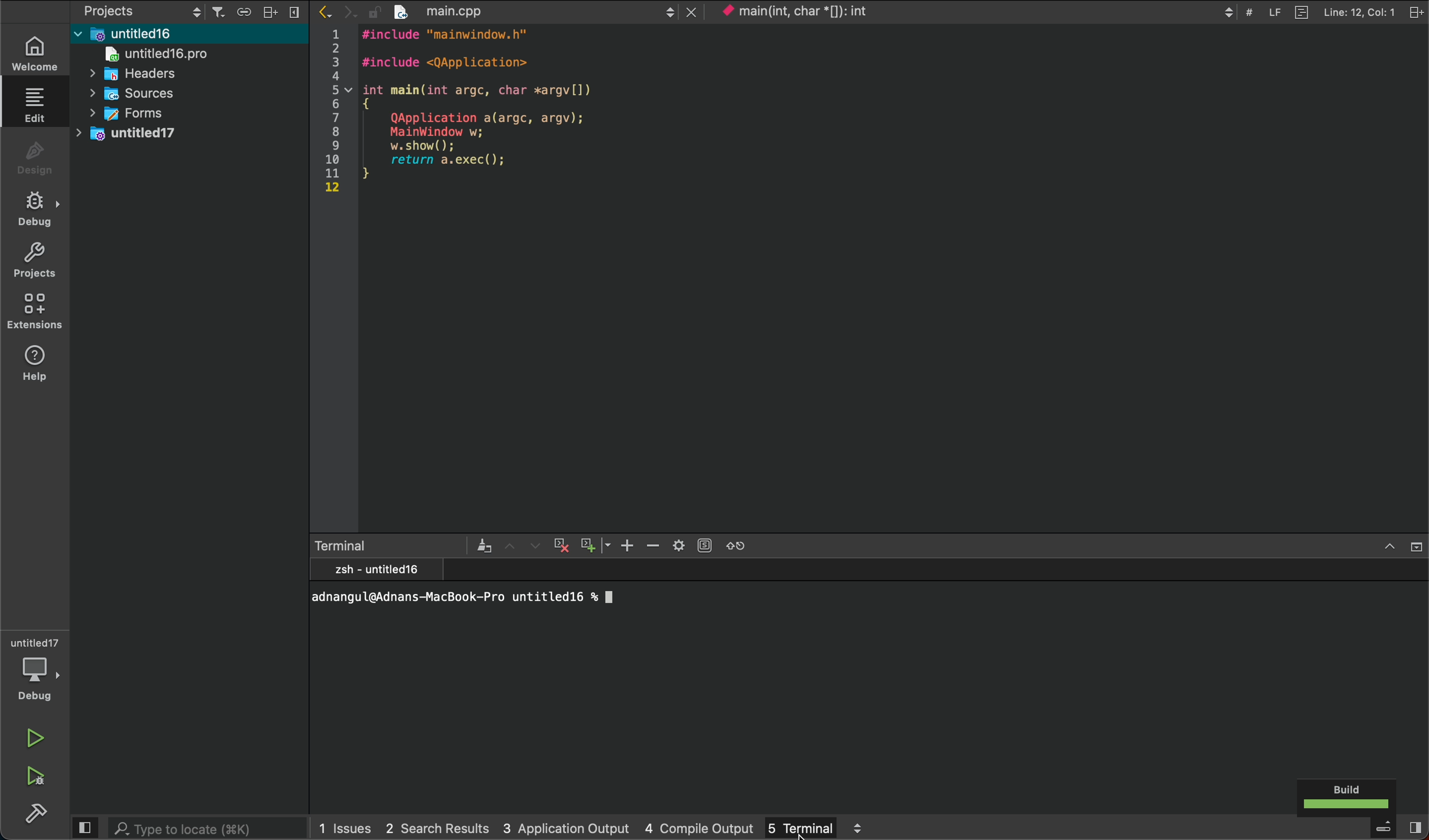 The width and height of the screenshot is (1429, 840). I want to click on file settings , so click(1417, 10).